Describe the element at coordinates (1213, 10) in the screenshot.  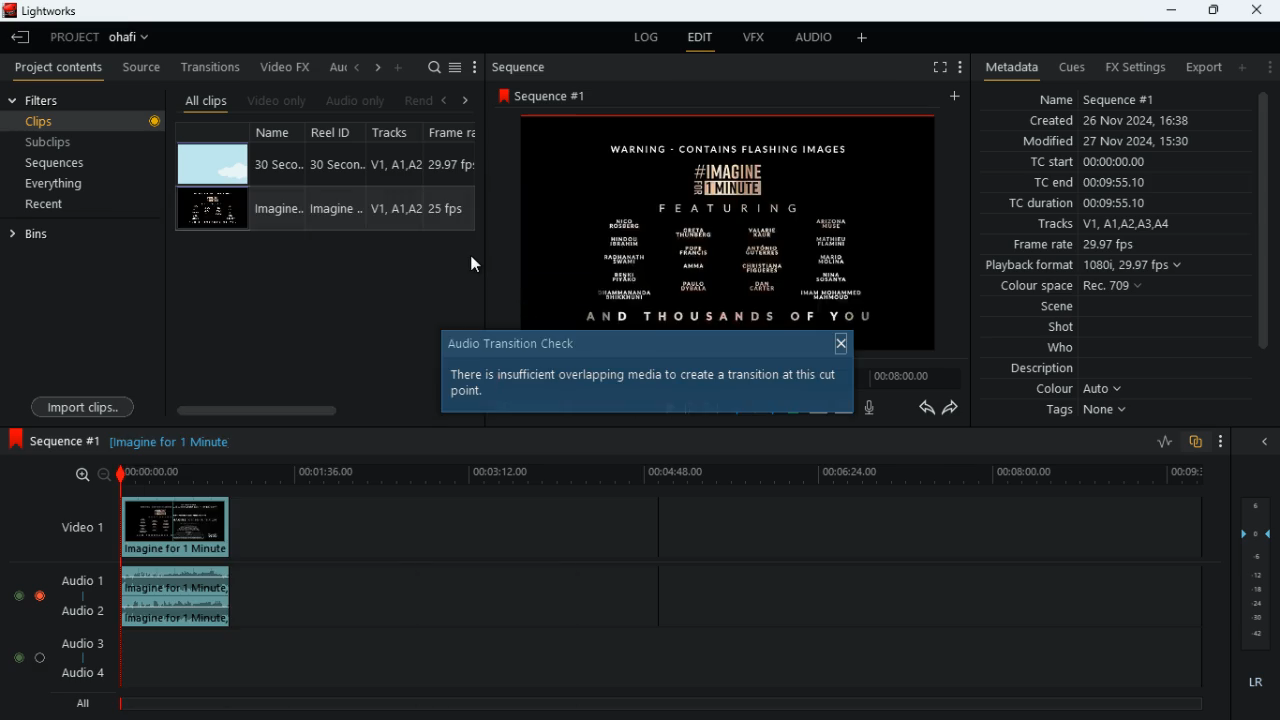
I see `maximize` at that location.